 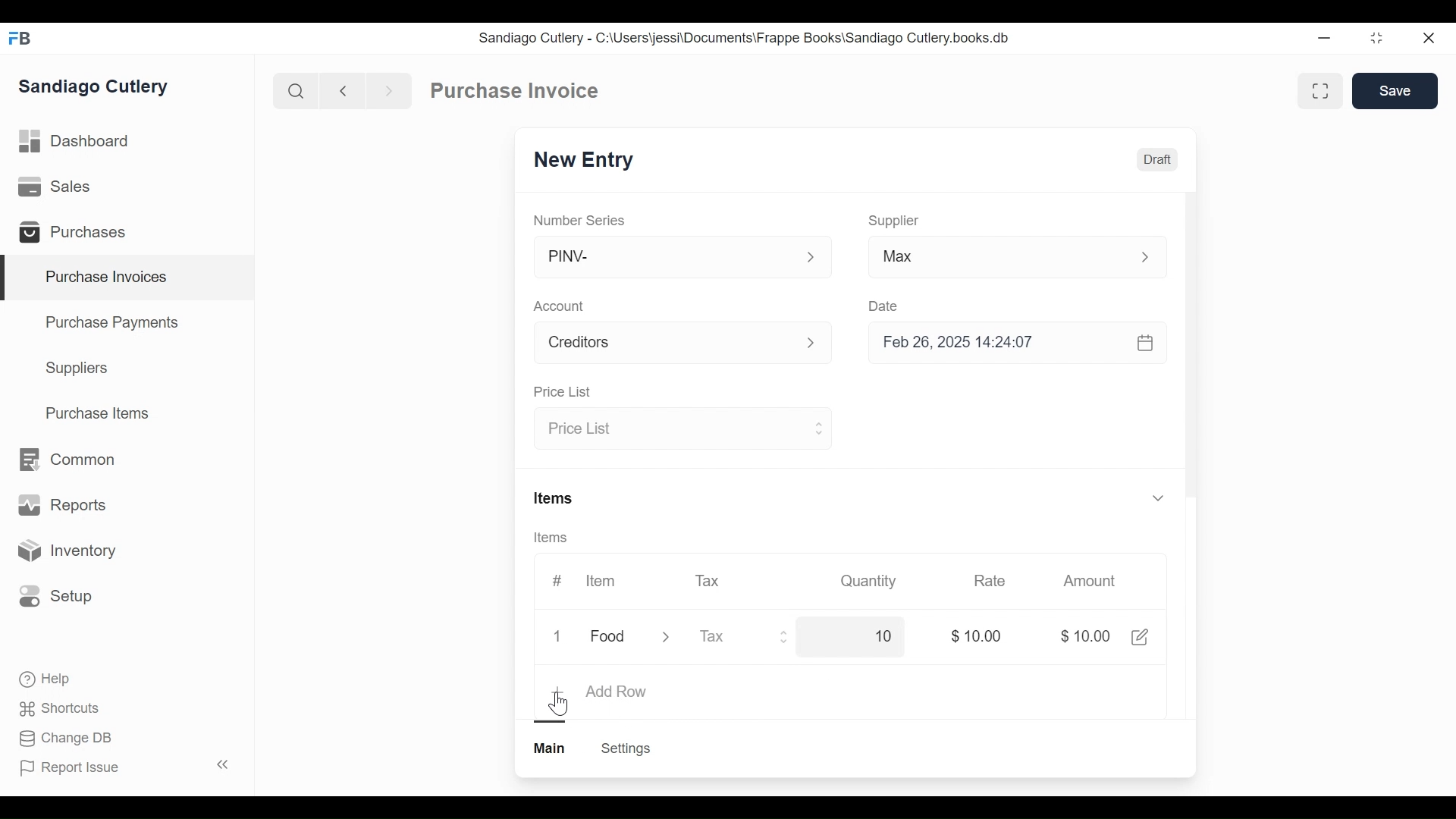 What do you see at coordinates (561, 393) in the screenshot?
I see `Price List` at bounding box center [561, 393].